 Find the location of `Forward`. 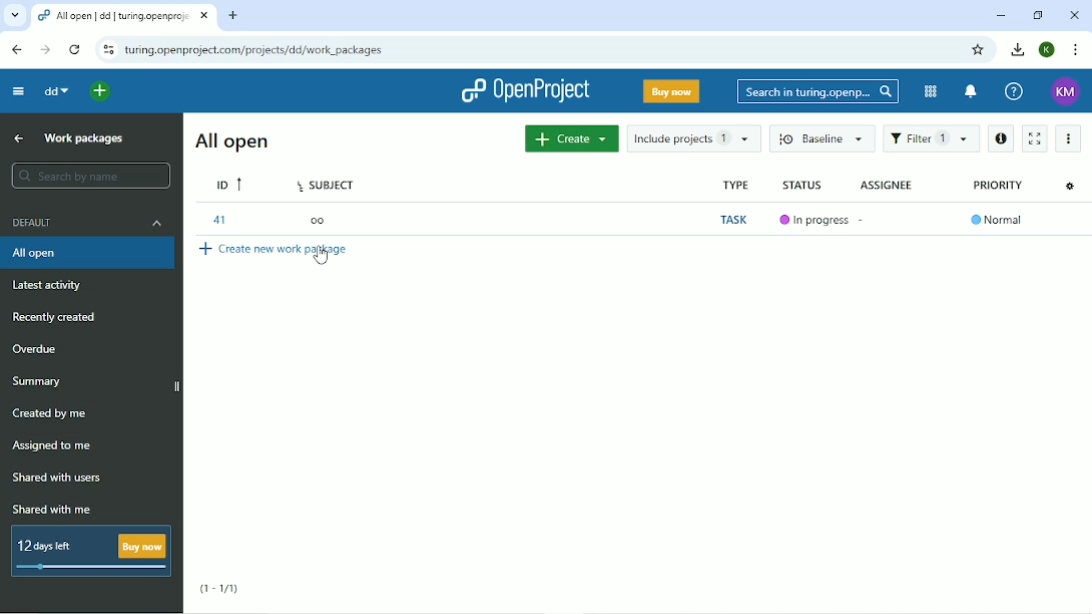

Forward is located at coordinates (46, 49).